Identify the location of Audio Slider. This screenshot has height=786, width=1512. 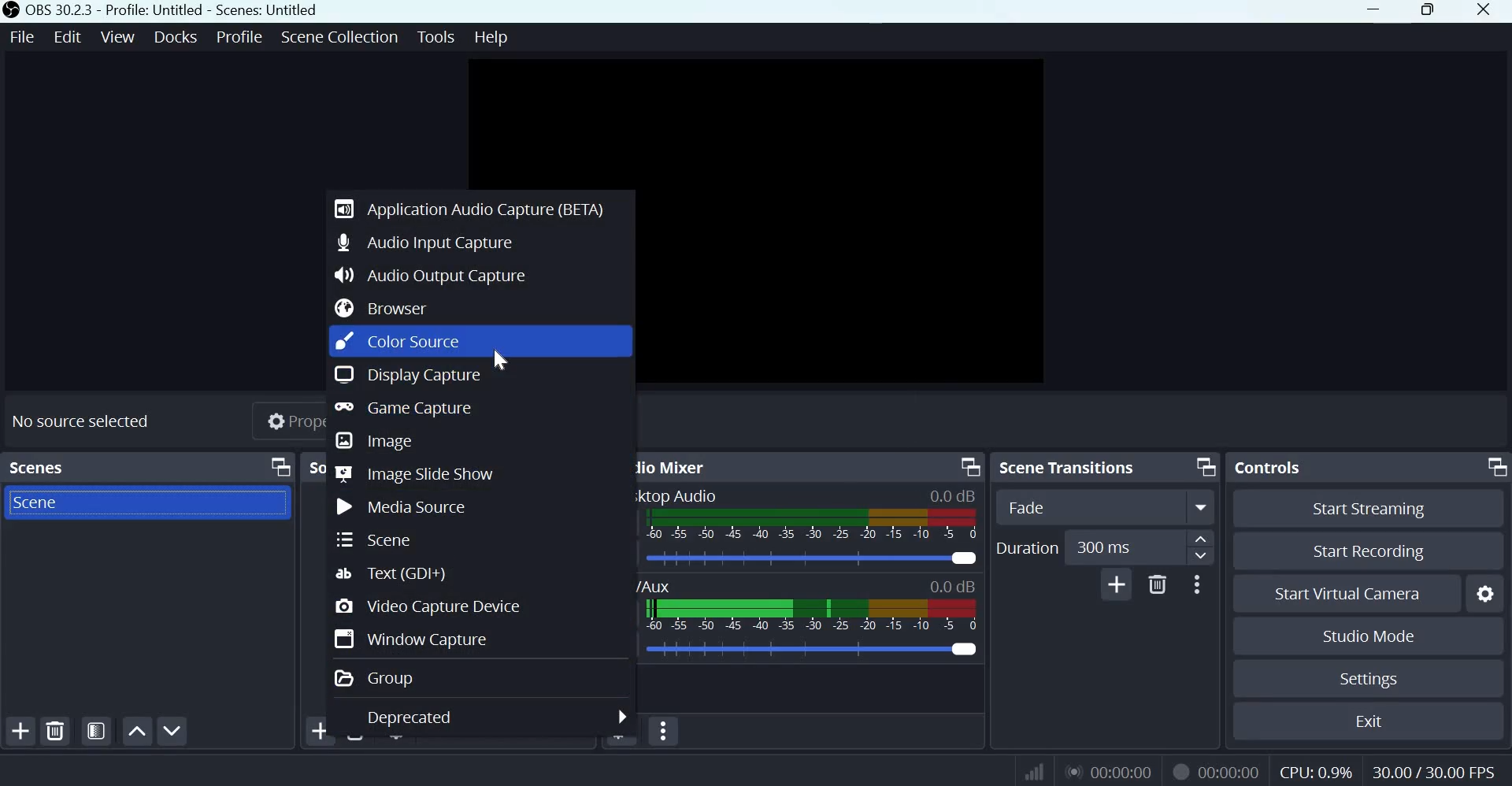
(965, 557).